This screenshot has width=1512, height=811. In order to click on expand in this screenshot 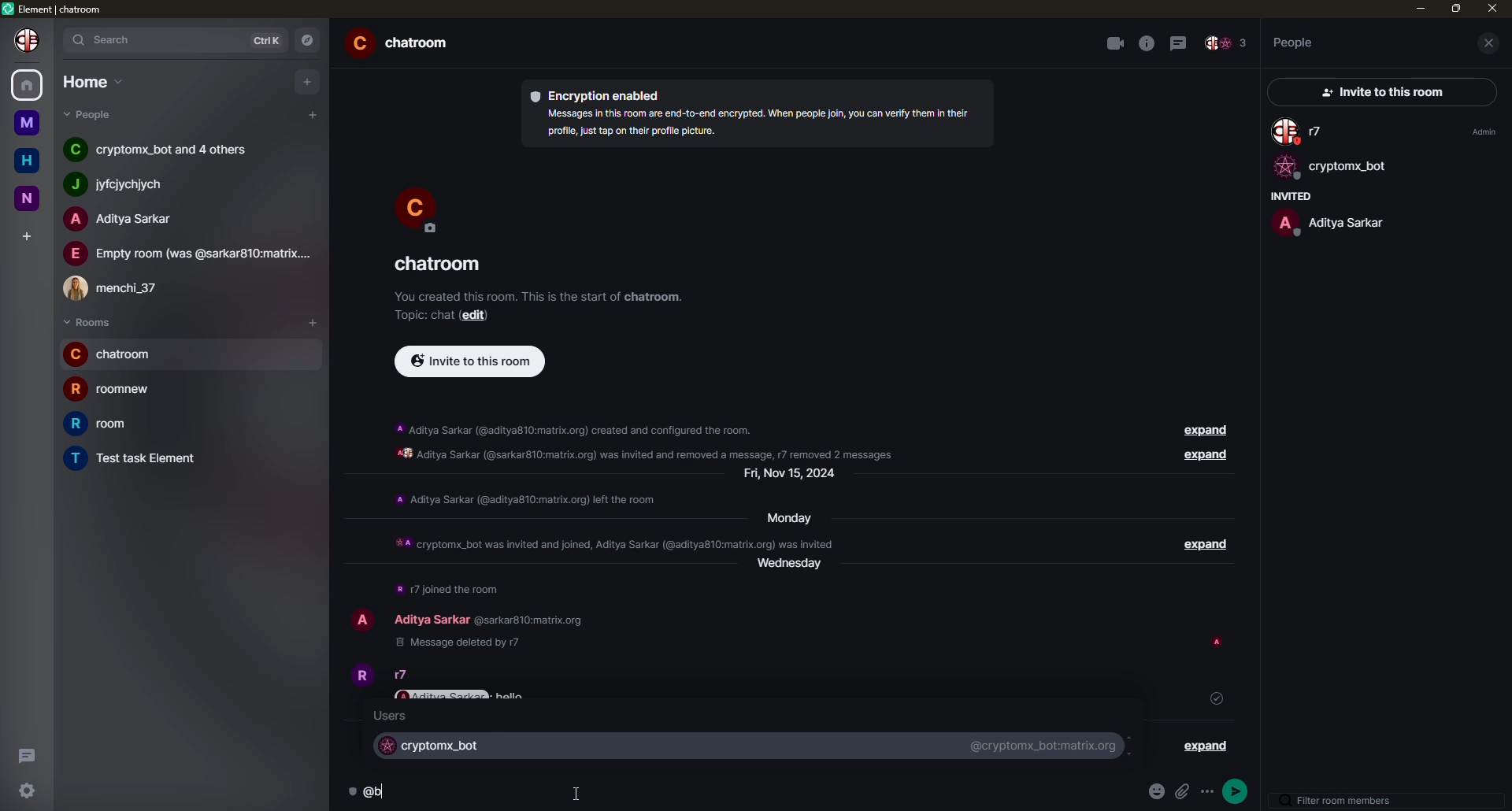, I will do `click(1199, 546)`.